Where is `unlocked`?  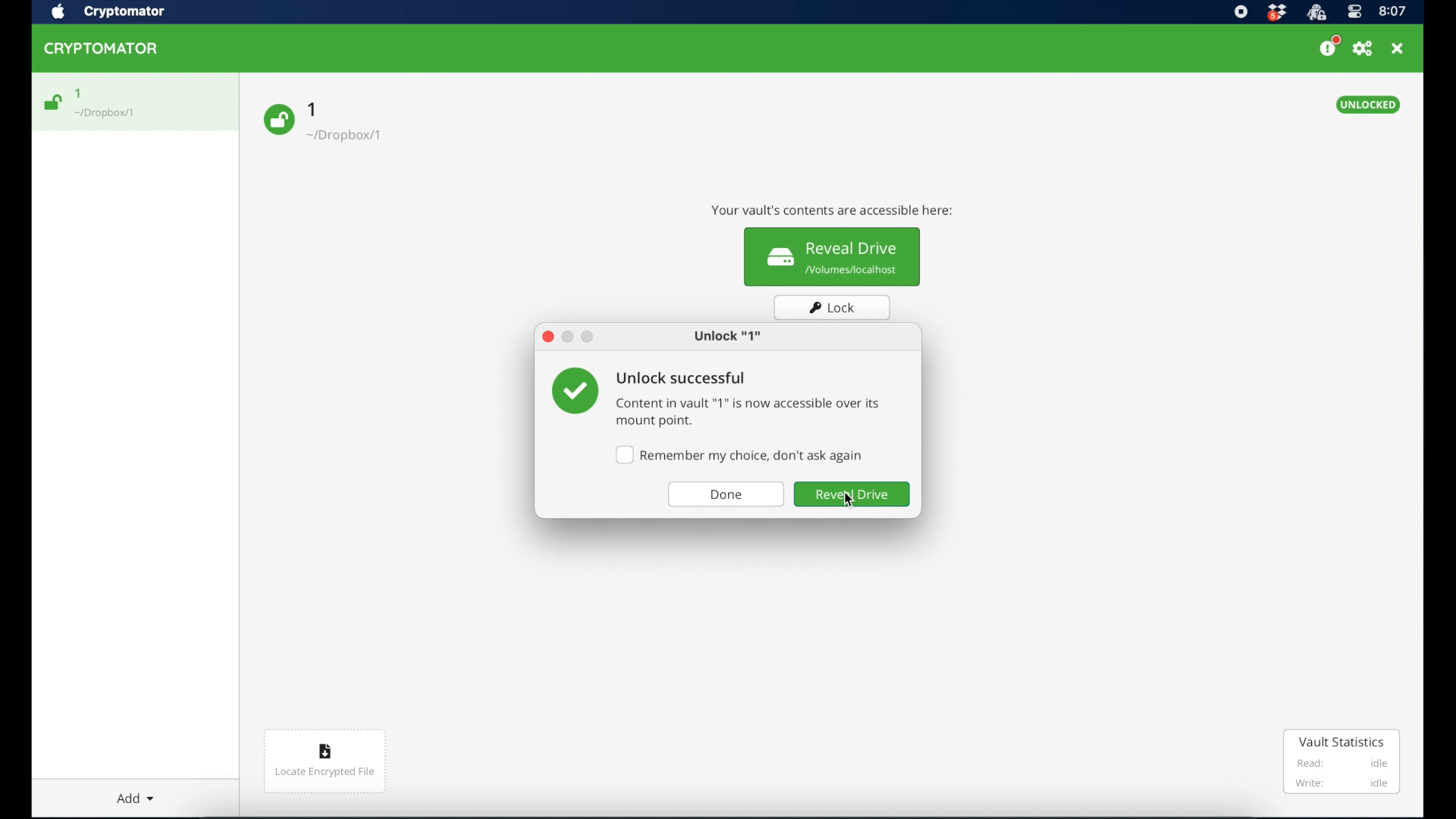 unlocked is located at coordinates (1369, 105).